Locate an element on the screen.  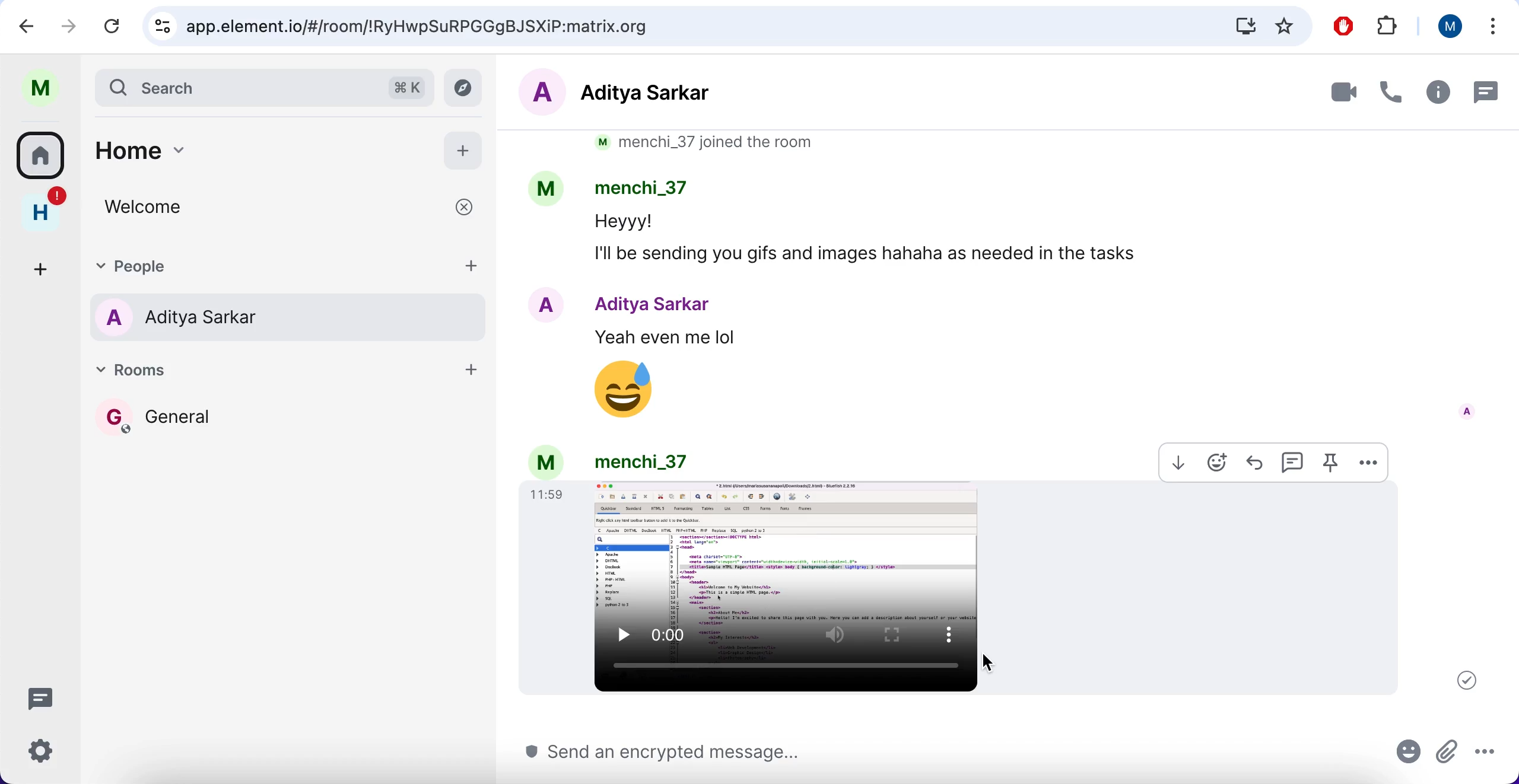
threads is located at coordinates (37, 696).